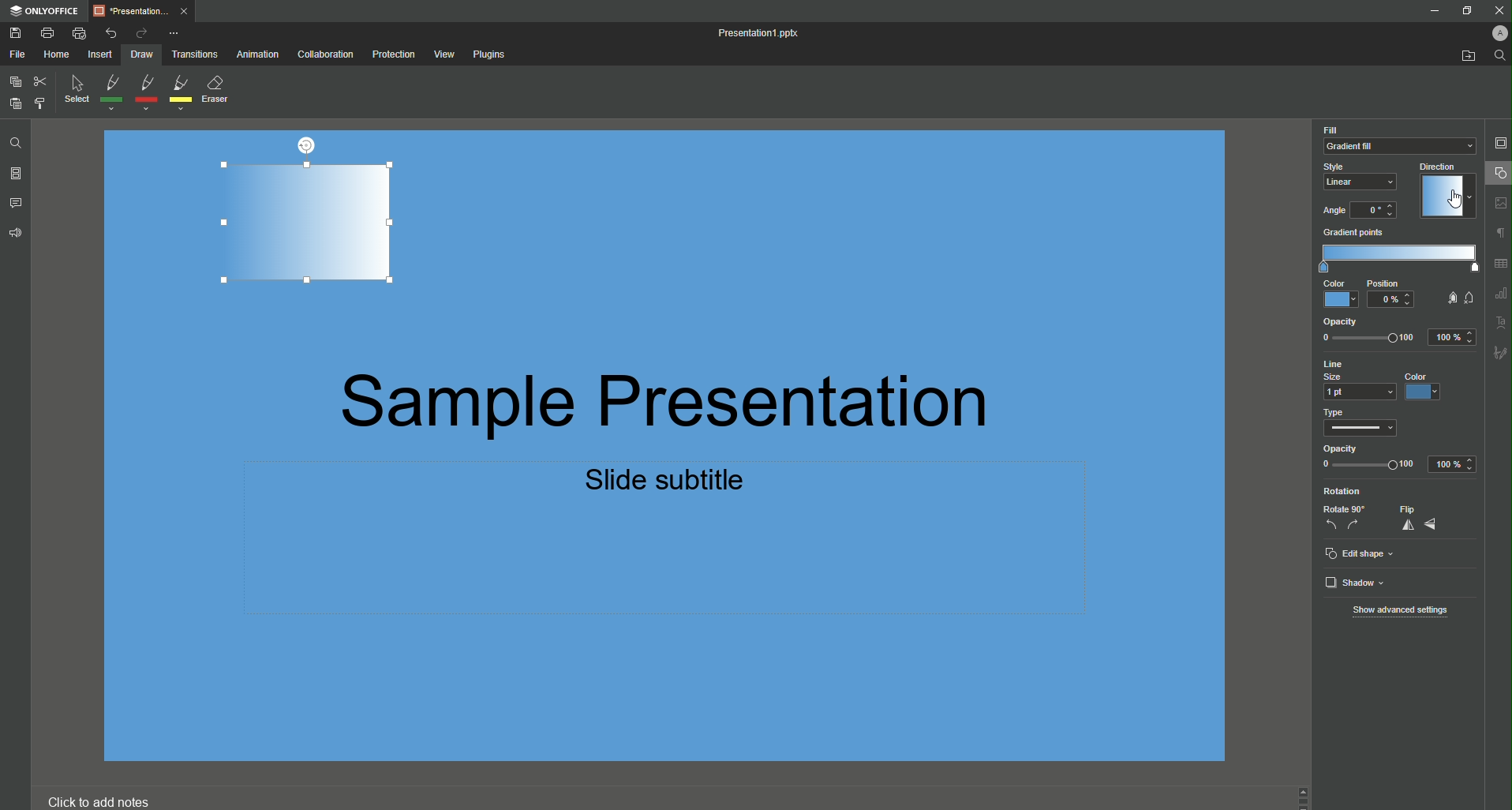  Describe the element at coordinates (80, 32) in the screenshot. I see `Quick Print` at that location.